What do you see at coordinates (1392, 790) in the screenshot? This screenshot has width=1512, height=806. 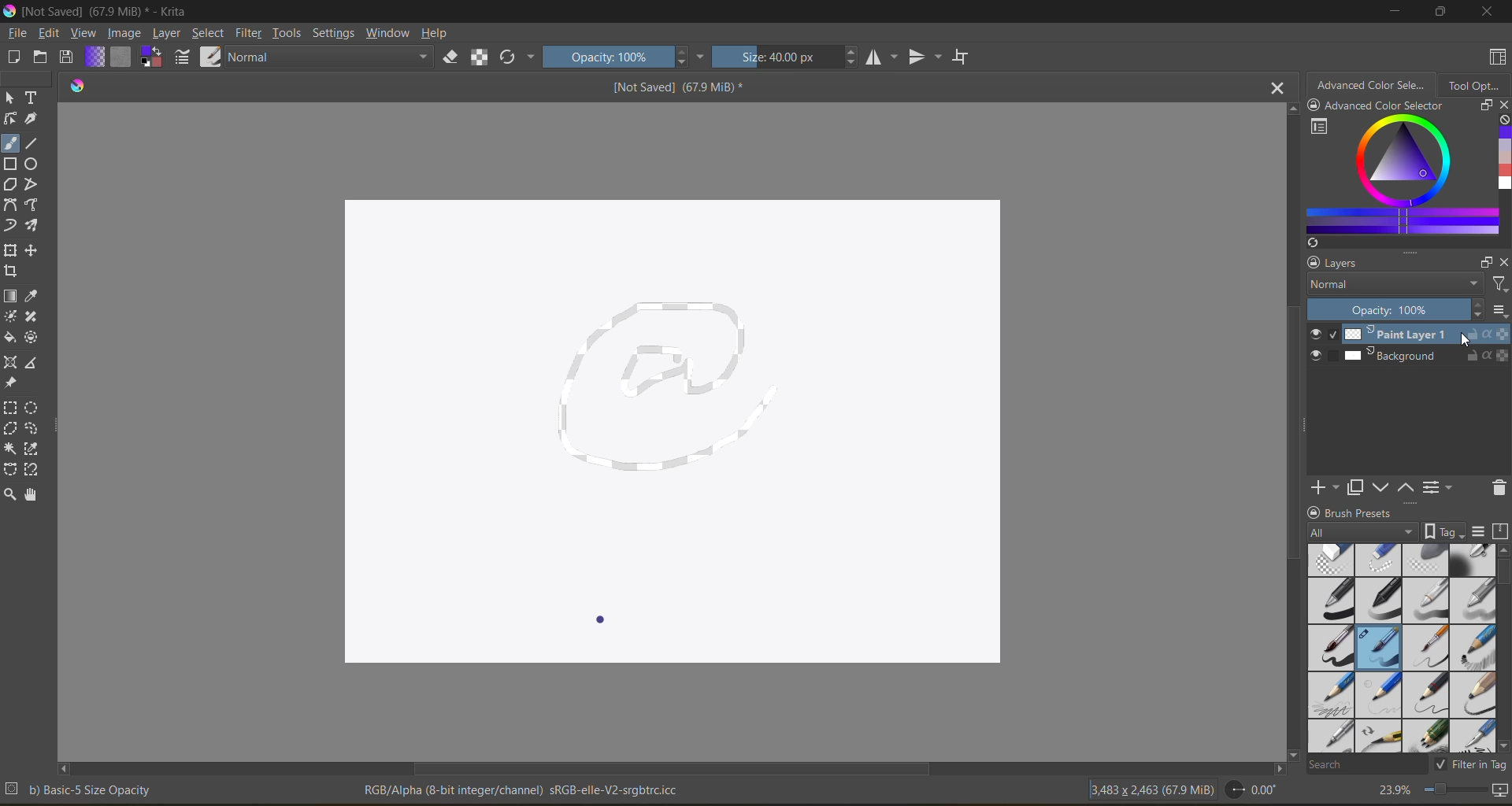 I see `zoom factor` at bounding box center [1392, 790].